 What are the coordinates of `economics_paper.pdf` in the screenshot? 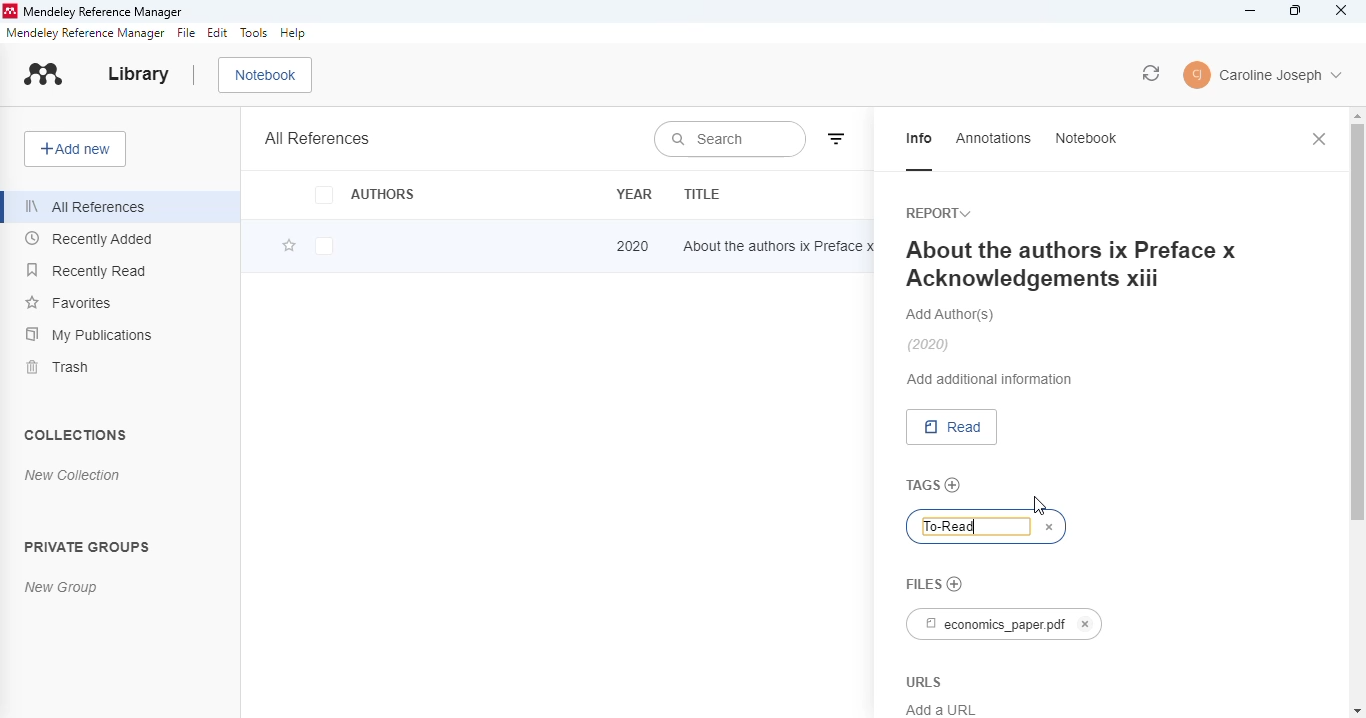 It's located at (1005, 625).